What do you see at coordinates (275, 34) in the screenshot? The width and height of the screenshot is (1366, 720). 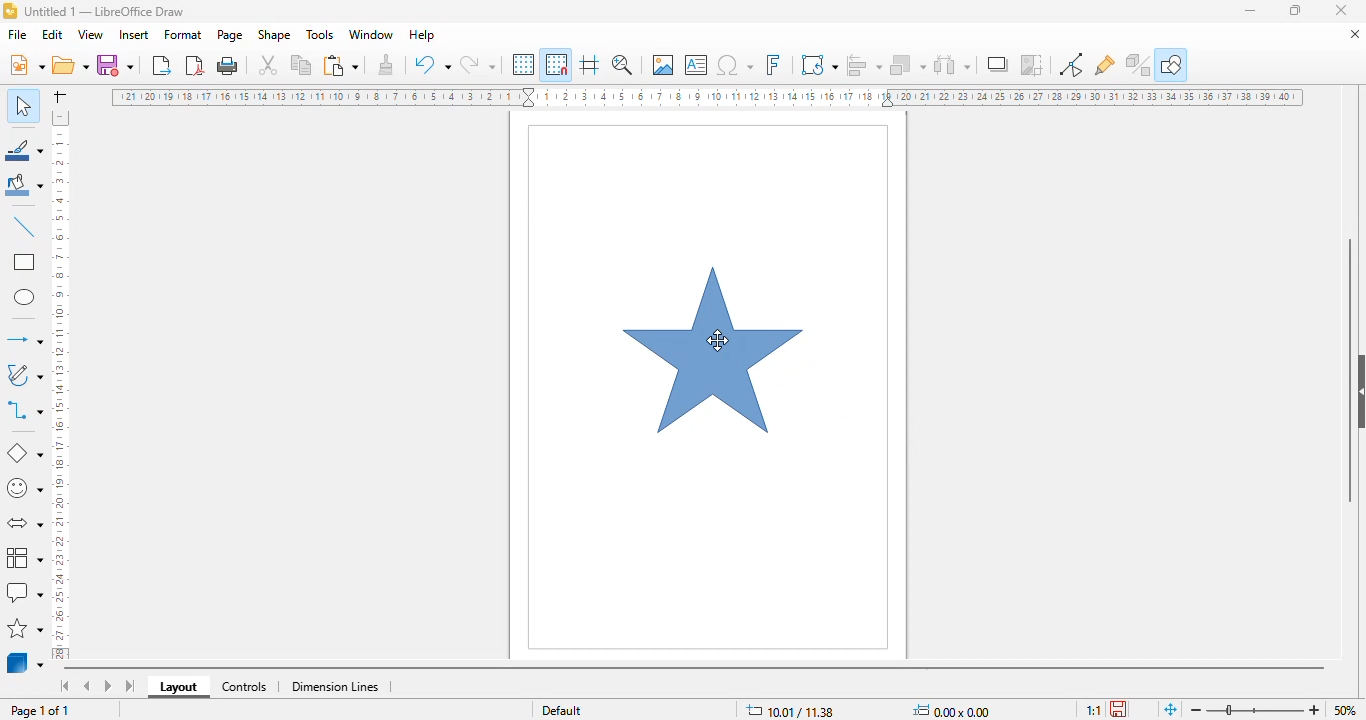 I see `shape` at bounding box center [275, 34].